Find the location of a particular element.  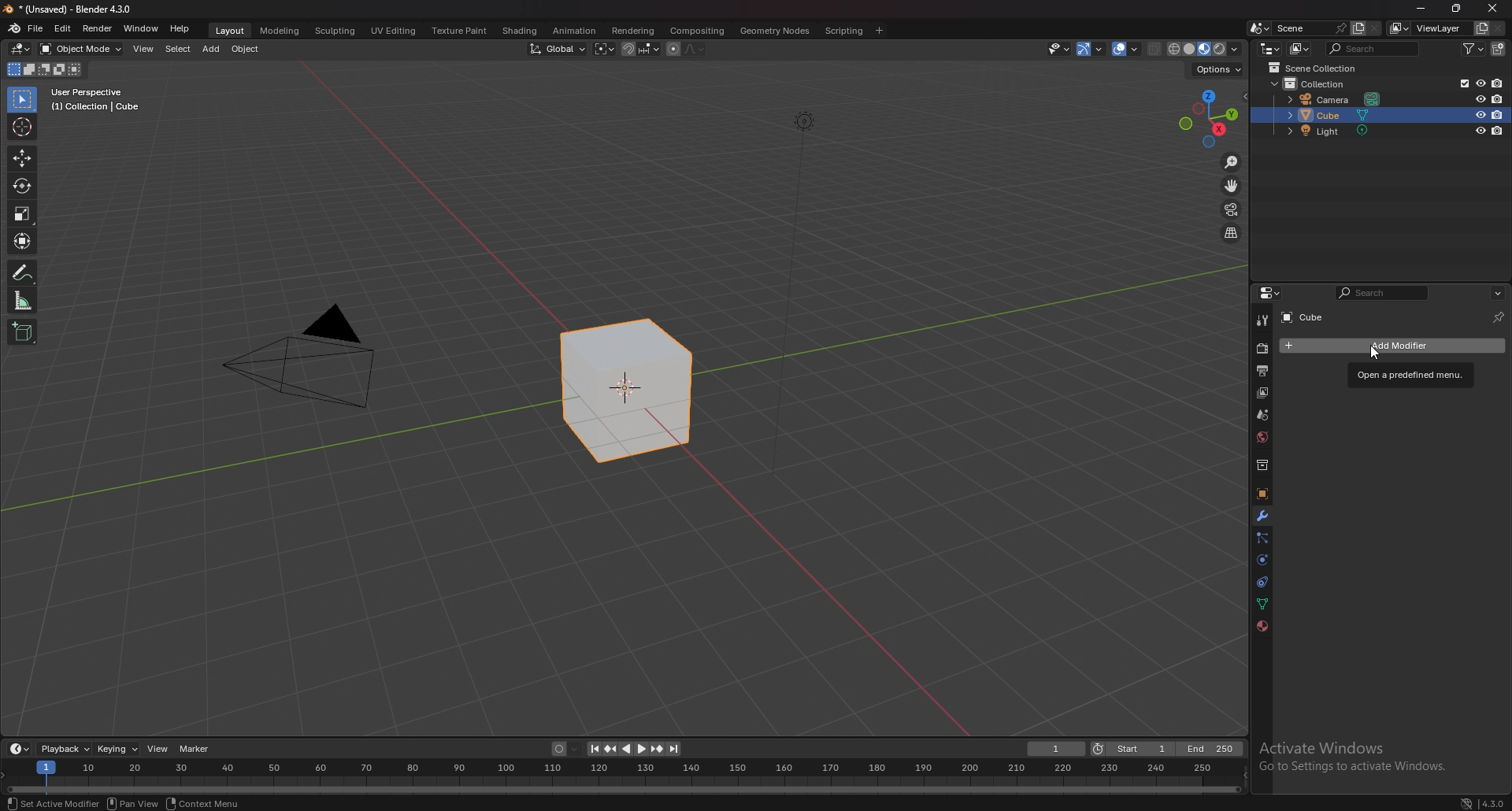

perspective/orthographic is located at coordinates (1231, 234).